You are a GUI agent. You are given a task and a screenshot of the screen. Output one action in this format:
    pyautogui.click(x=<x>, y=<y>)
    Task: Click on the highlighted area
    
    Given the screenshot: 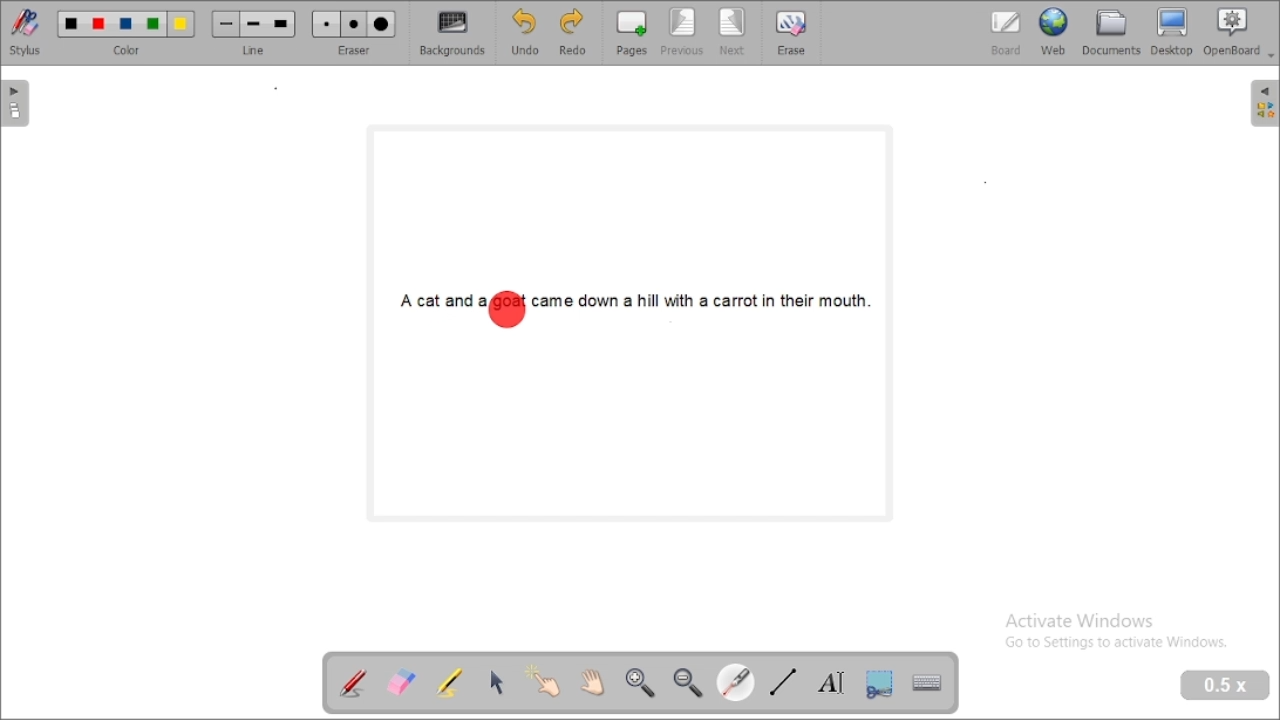 What is the action you would take?
    pyautogui.click(x=507, y=309)
    